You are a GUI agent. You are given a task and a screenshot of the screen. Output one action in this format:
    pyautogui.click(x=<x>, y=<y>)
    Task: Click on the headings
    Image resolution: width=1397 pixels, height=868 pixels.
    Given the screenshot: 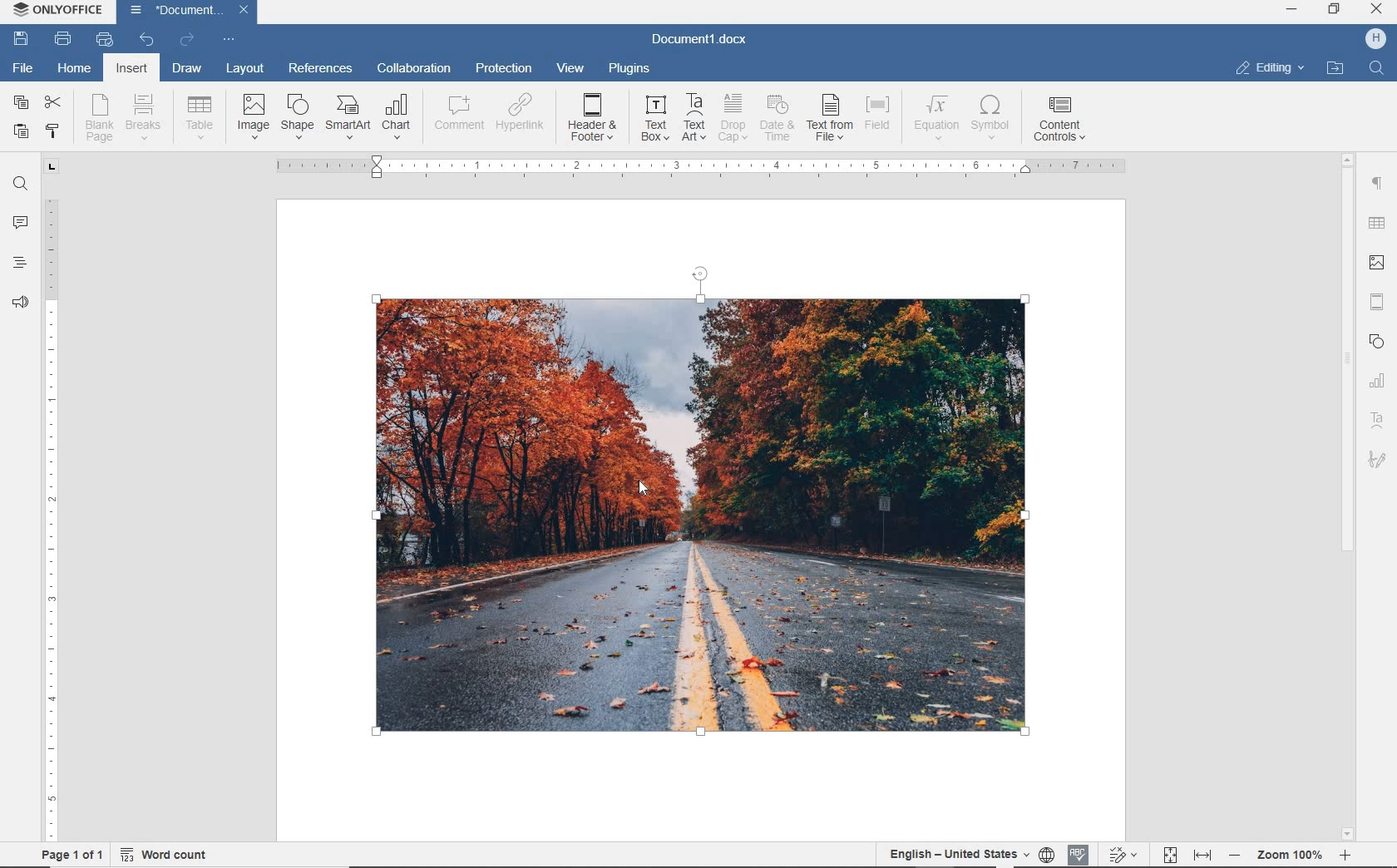 What is the action you would take?
    pyautogui.click(x=18, y=262)
    